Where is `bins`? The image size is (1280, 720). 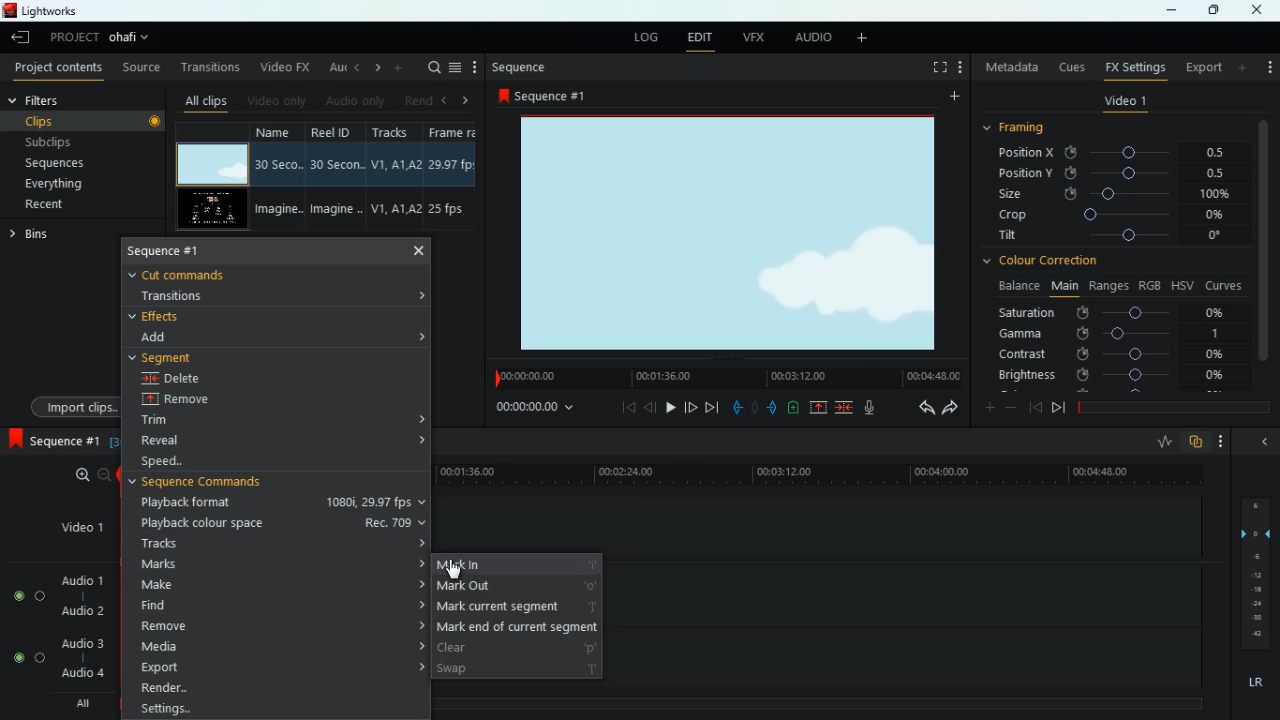 bins is located at coordinates (34, 235).